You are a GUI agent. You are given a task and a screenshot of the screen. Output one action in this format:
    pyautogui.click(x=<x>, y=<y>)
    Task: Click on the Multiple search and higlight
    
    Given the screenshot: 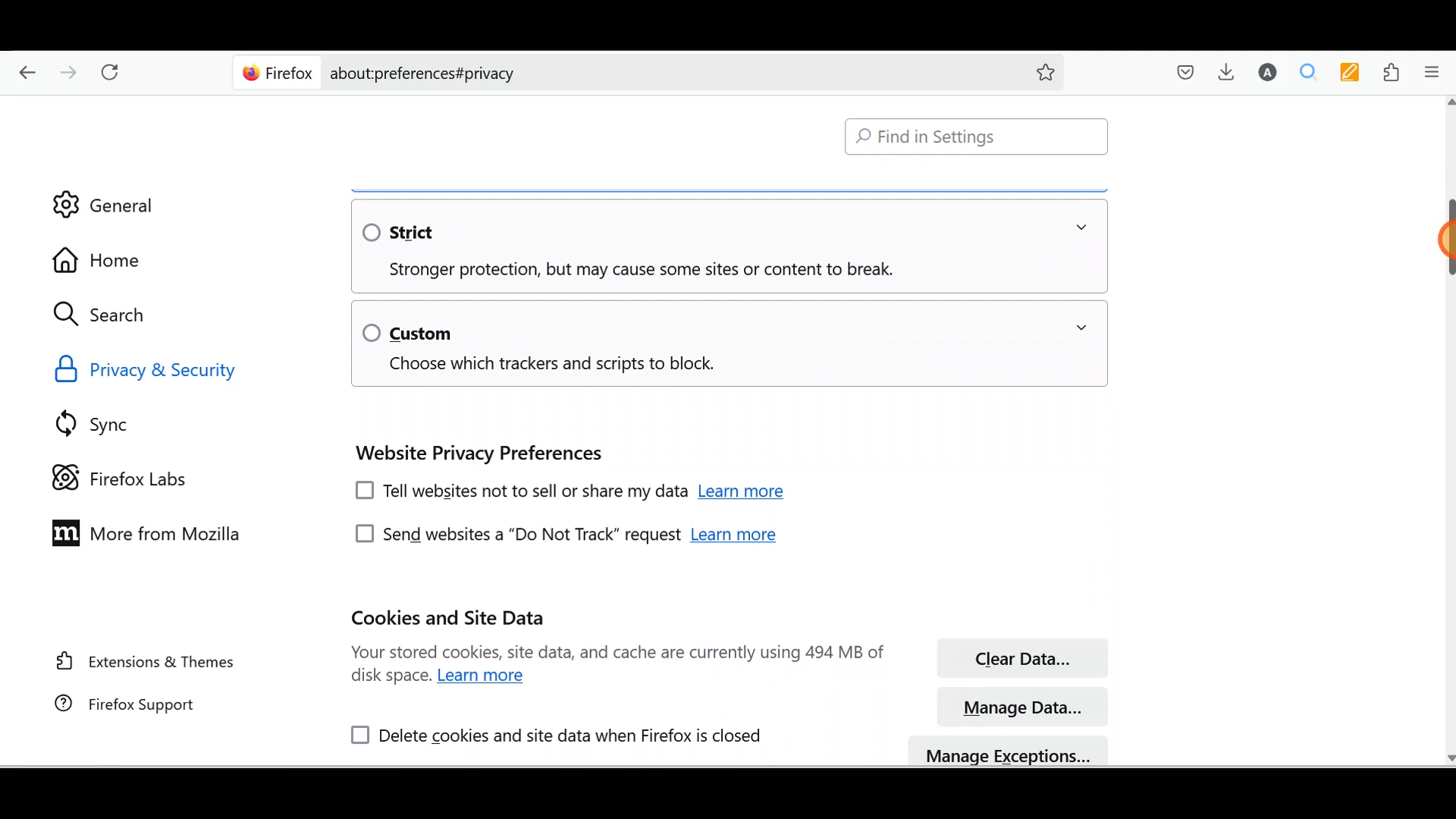 What is the action you would take?
    pyautogui.click(x=1308, y=72)
    